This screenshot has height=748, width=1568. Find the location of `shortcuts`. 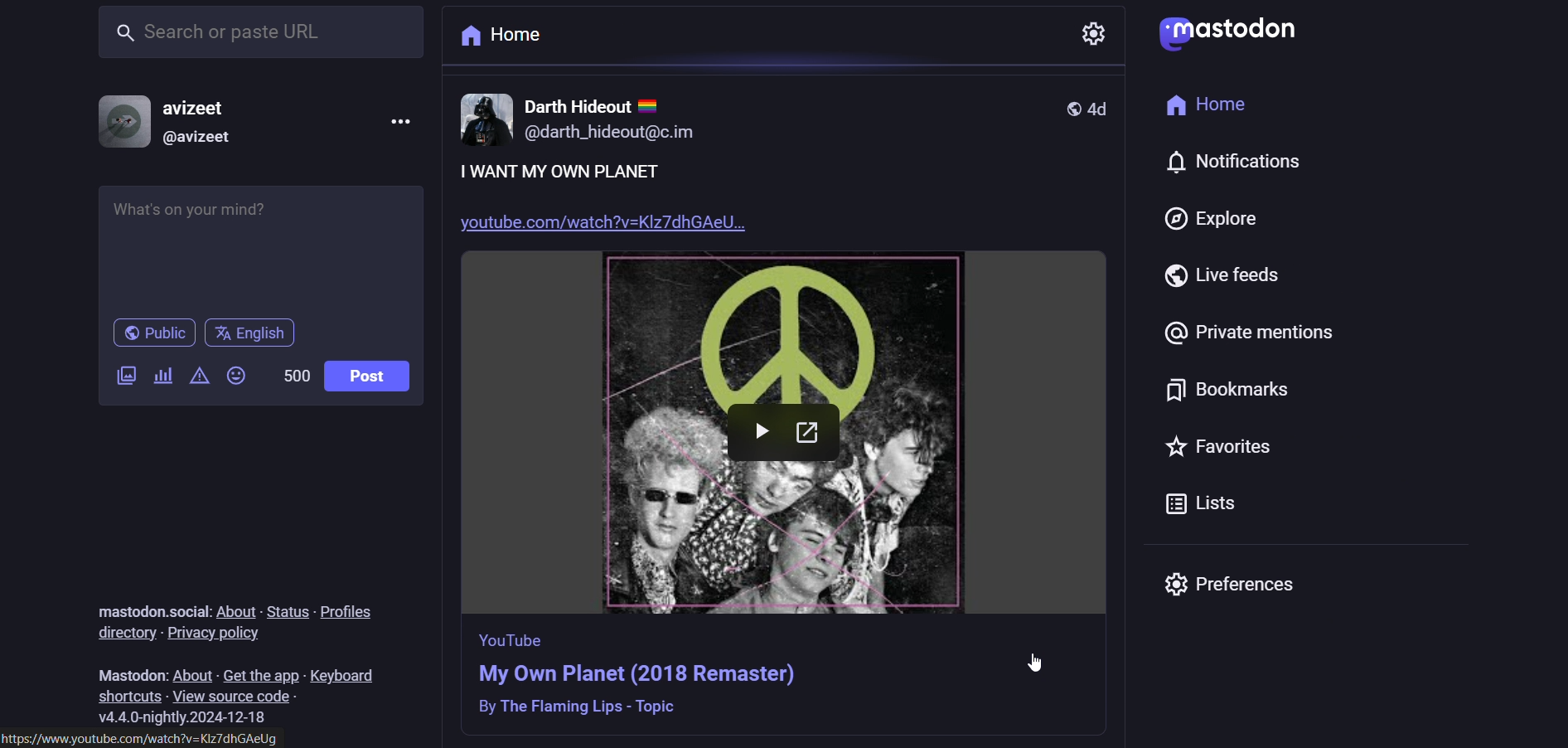

shortcuts is located at coordinates (123, 695).